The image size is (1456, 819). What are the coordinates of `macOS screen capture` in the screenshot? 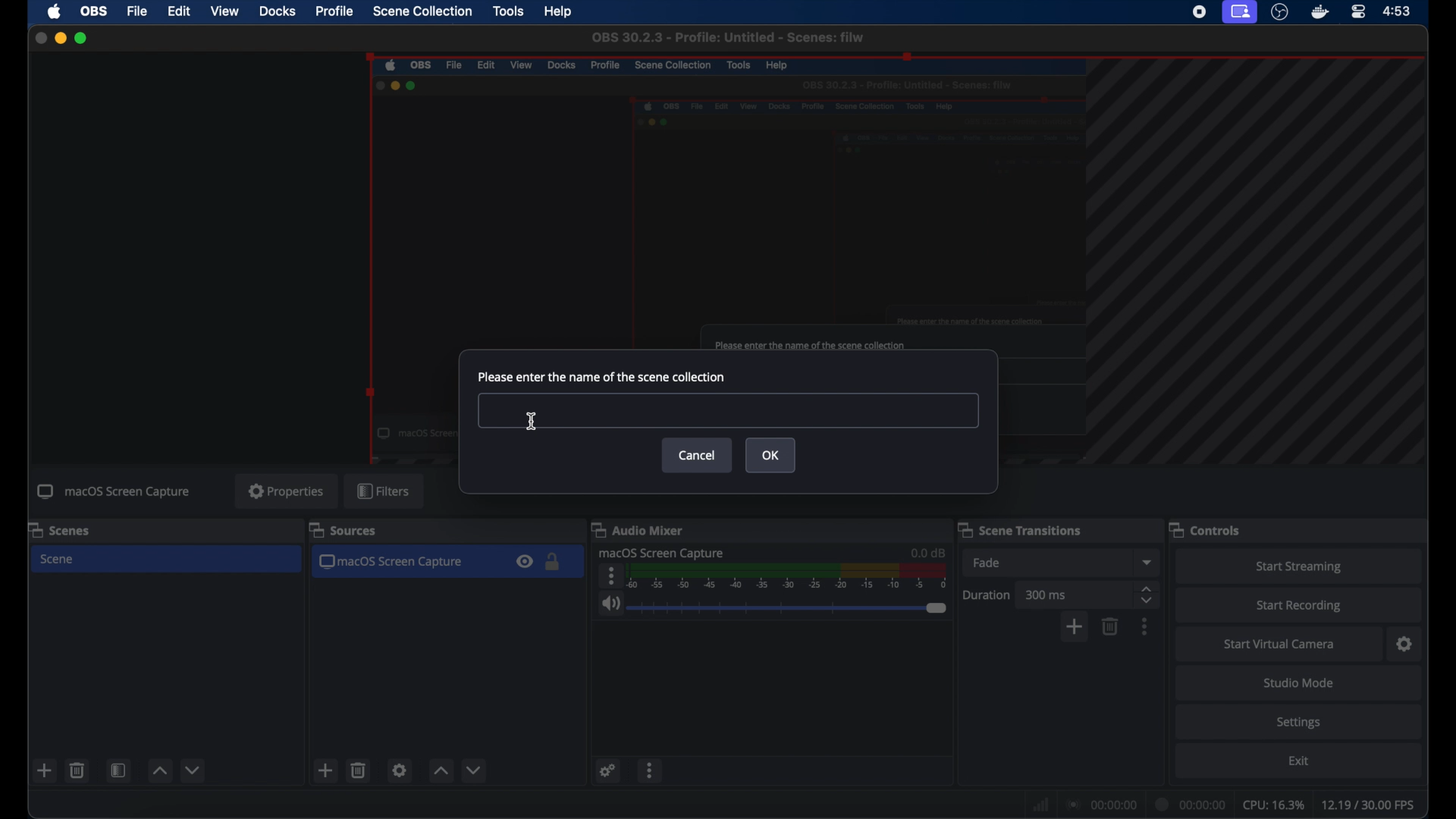 It's located at (114, 492).